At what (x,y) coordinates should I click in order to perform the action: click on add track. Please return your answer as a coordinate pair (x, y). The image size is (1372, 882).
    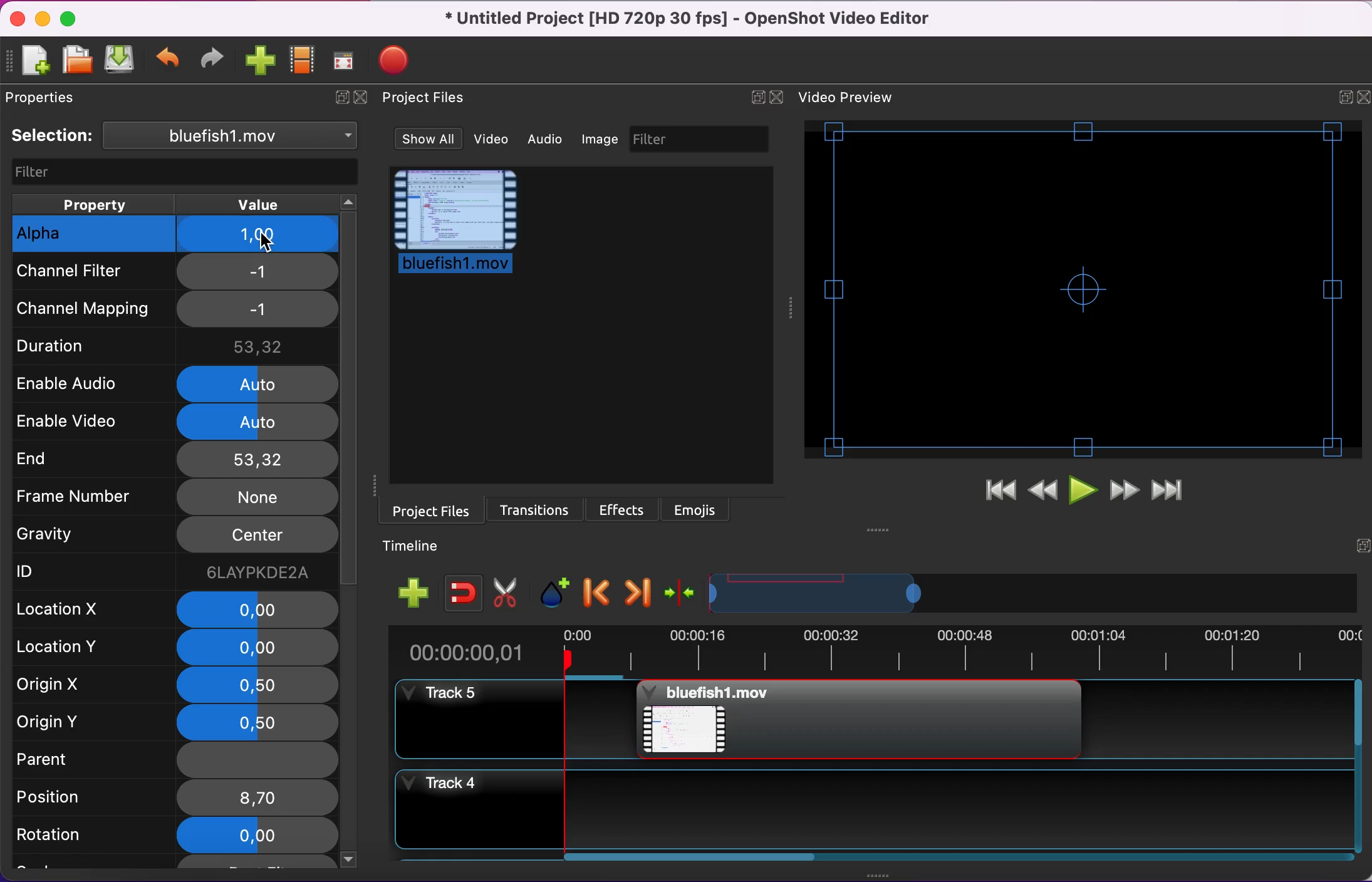
    Looking at the image, I should click on (418, 594).